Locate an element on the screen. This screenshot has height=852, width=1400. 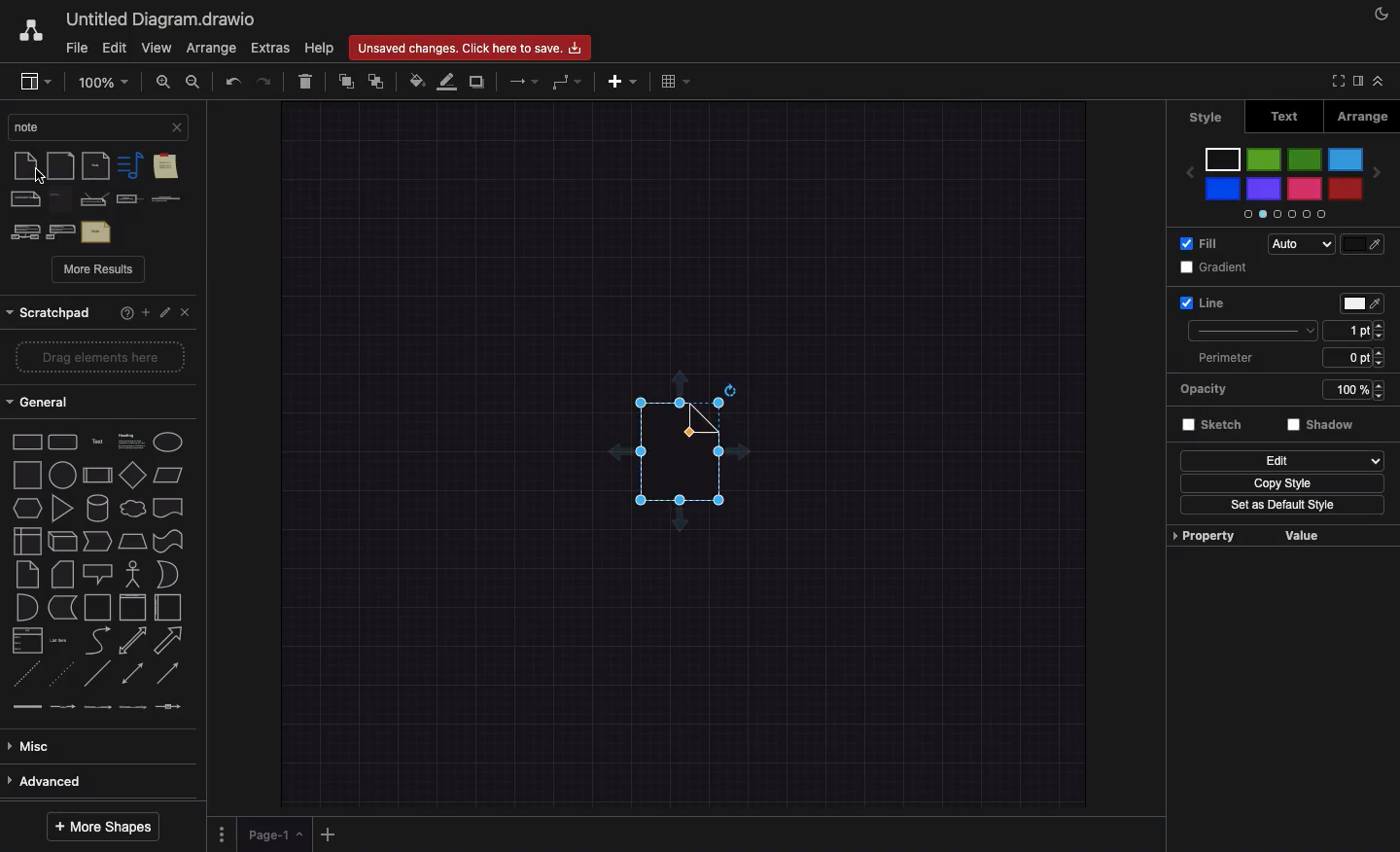
line is located at coordinates (98, 678).